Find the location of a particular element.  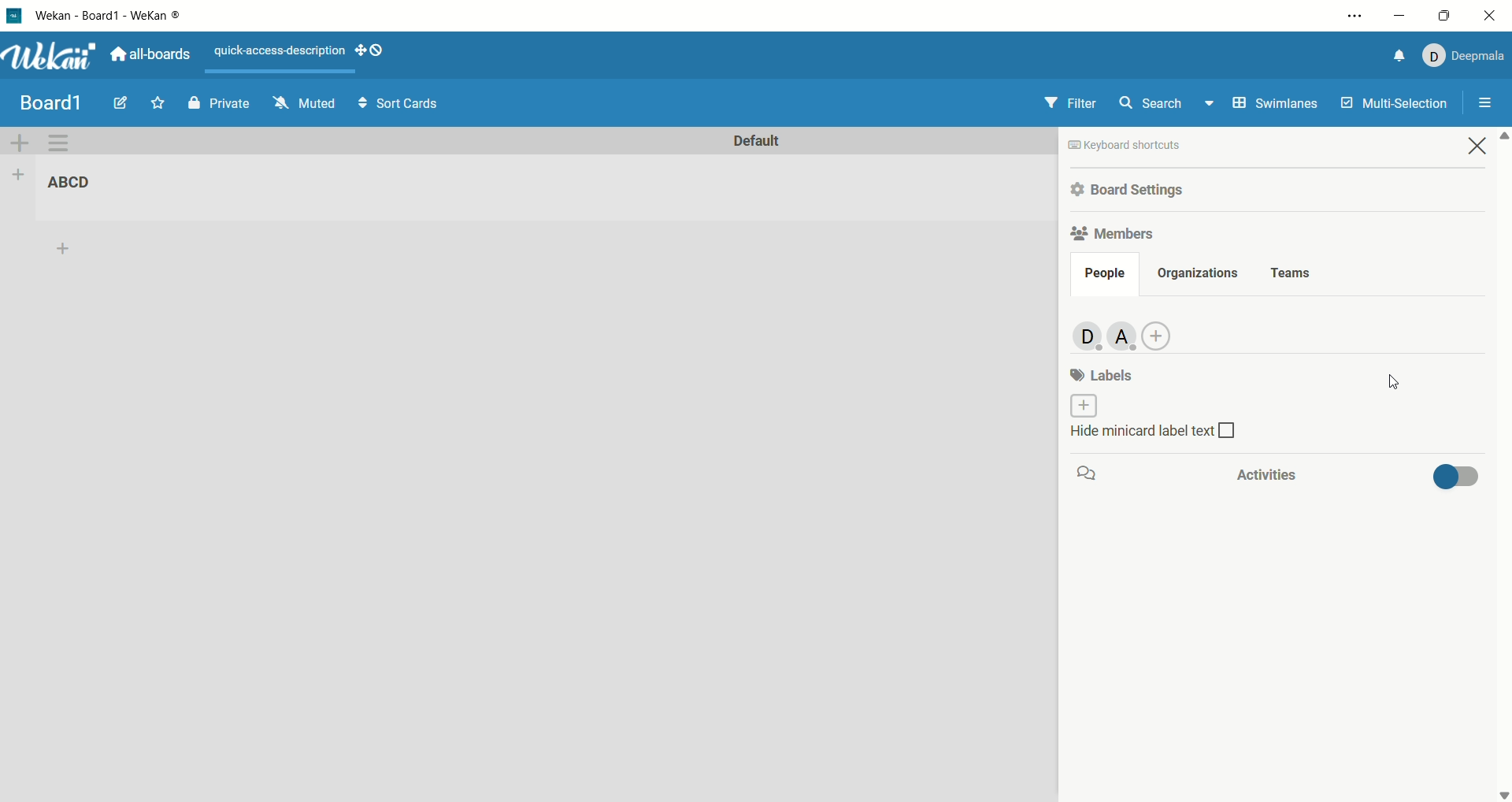

close is located at coordinates (1493, 16).